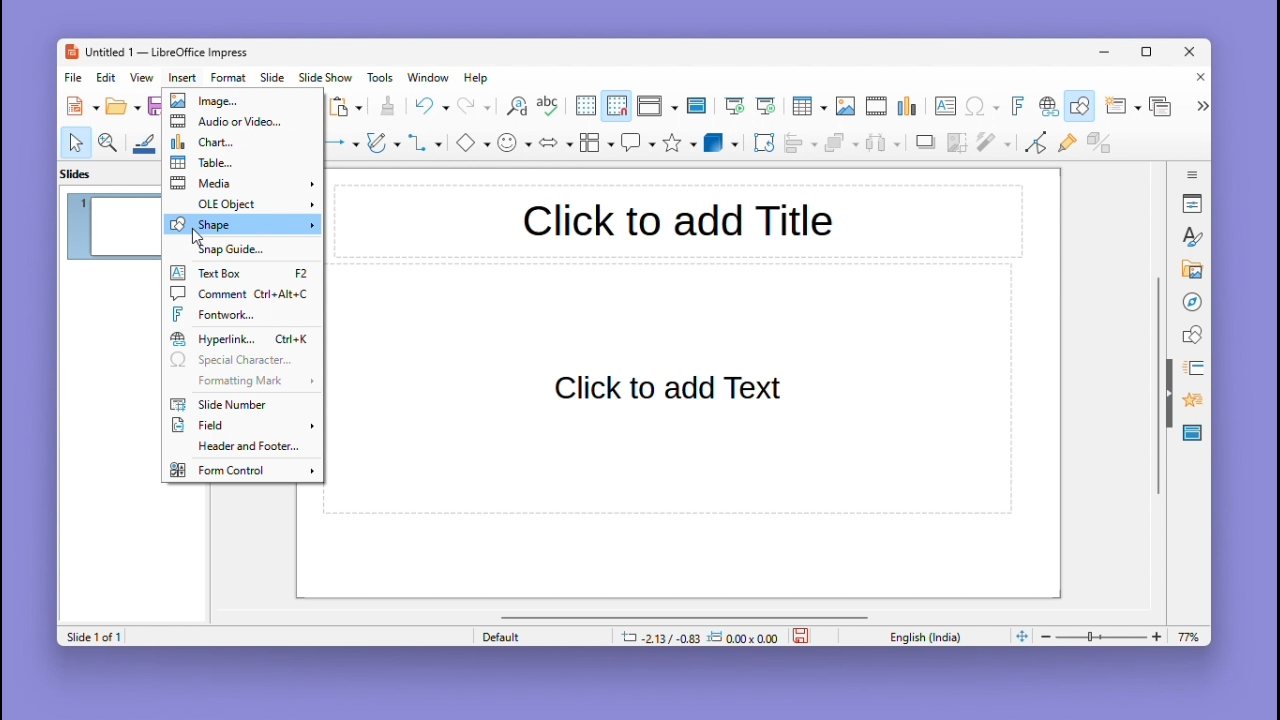 The width and height of the screenshot is (1280, 720). Describe the element at coordinates (1016, 106) in the screenshot. I see `Font work` at that location.